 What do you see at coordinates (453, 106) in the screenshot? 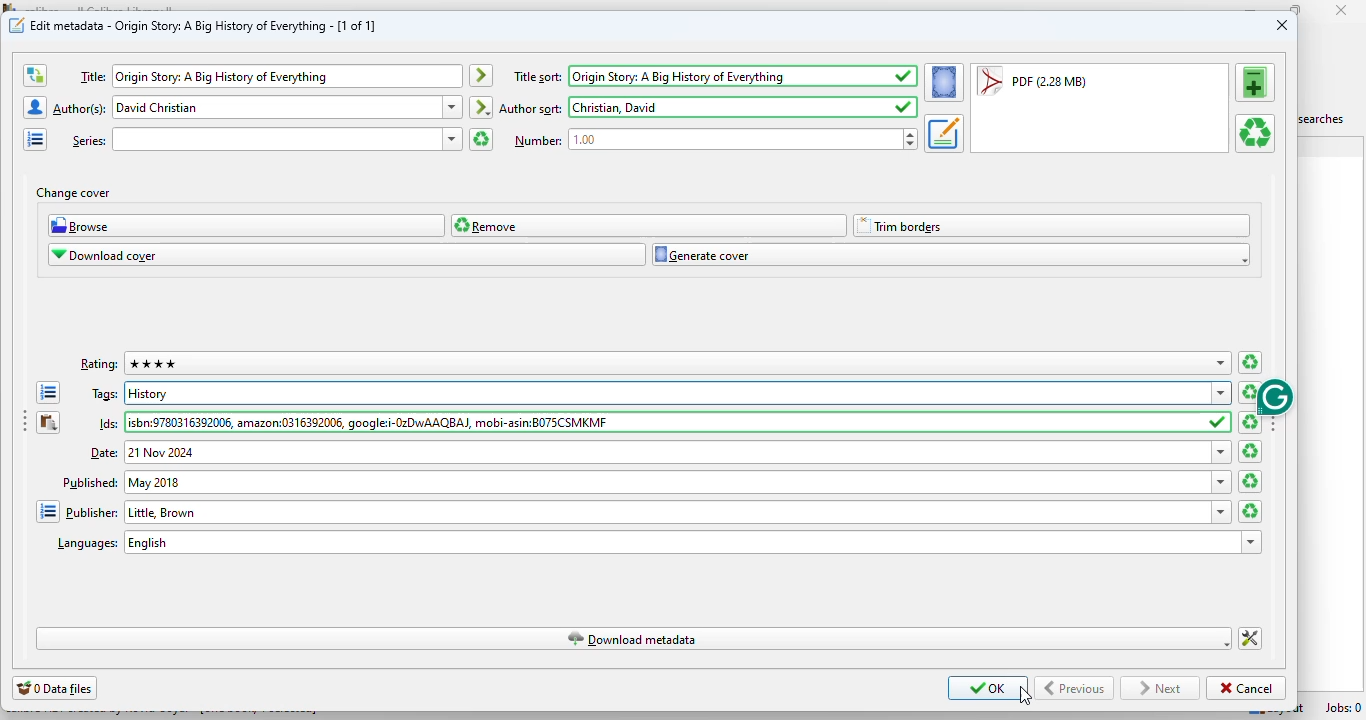
I see `dropdown` at bounding box center [453, 106].